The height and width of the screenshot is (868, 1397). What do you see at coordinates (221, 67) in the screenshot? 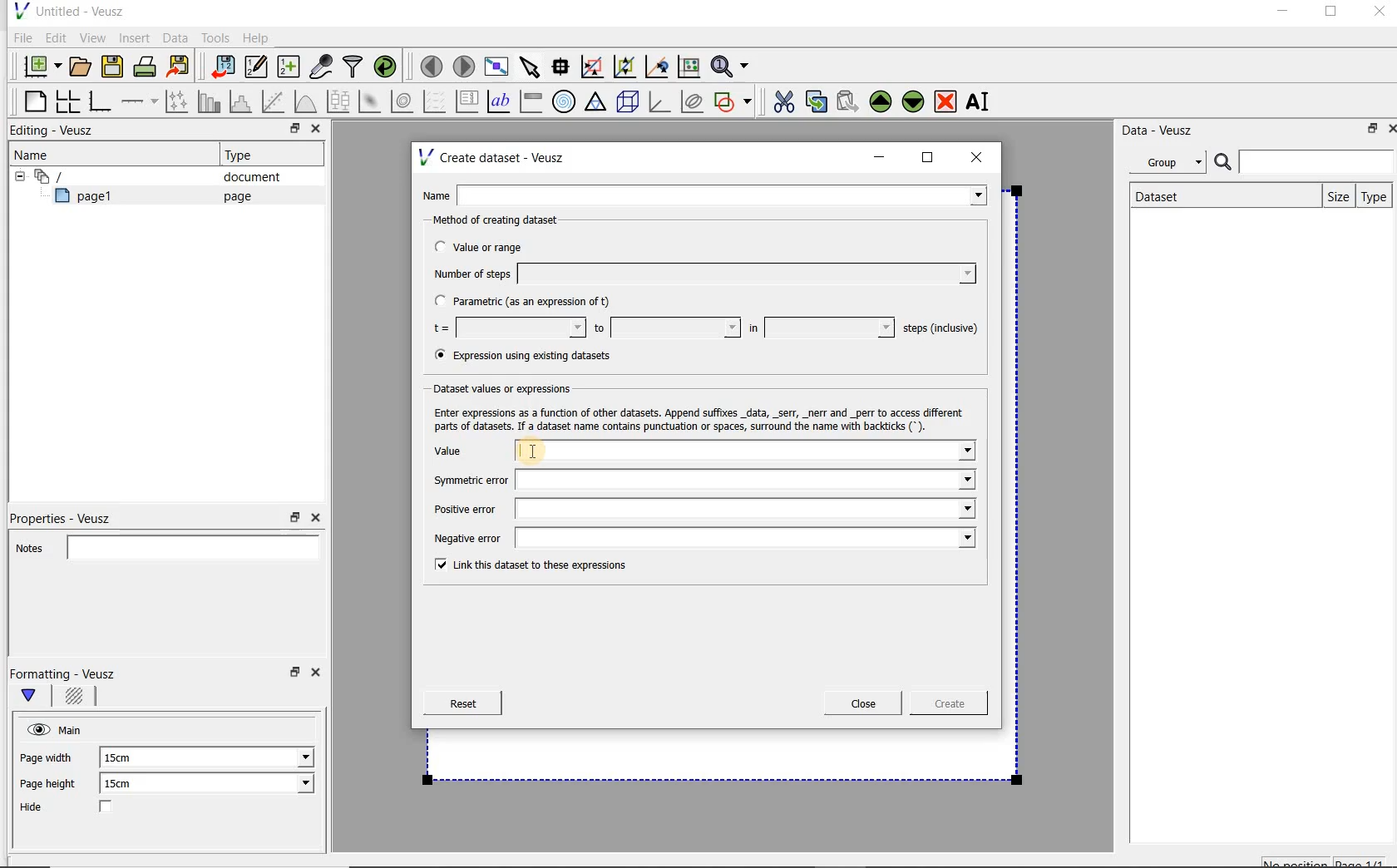
I see `import data into Veusz` at bounding box center [221, 67].